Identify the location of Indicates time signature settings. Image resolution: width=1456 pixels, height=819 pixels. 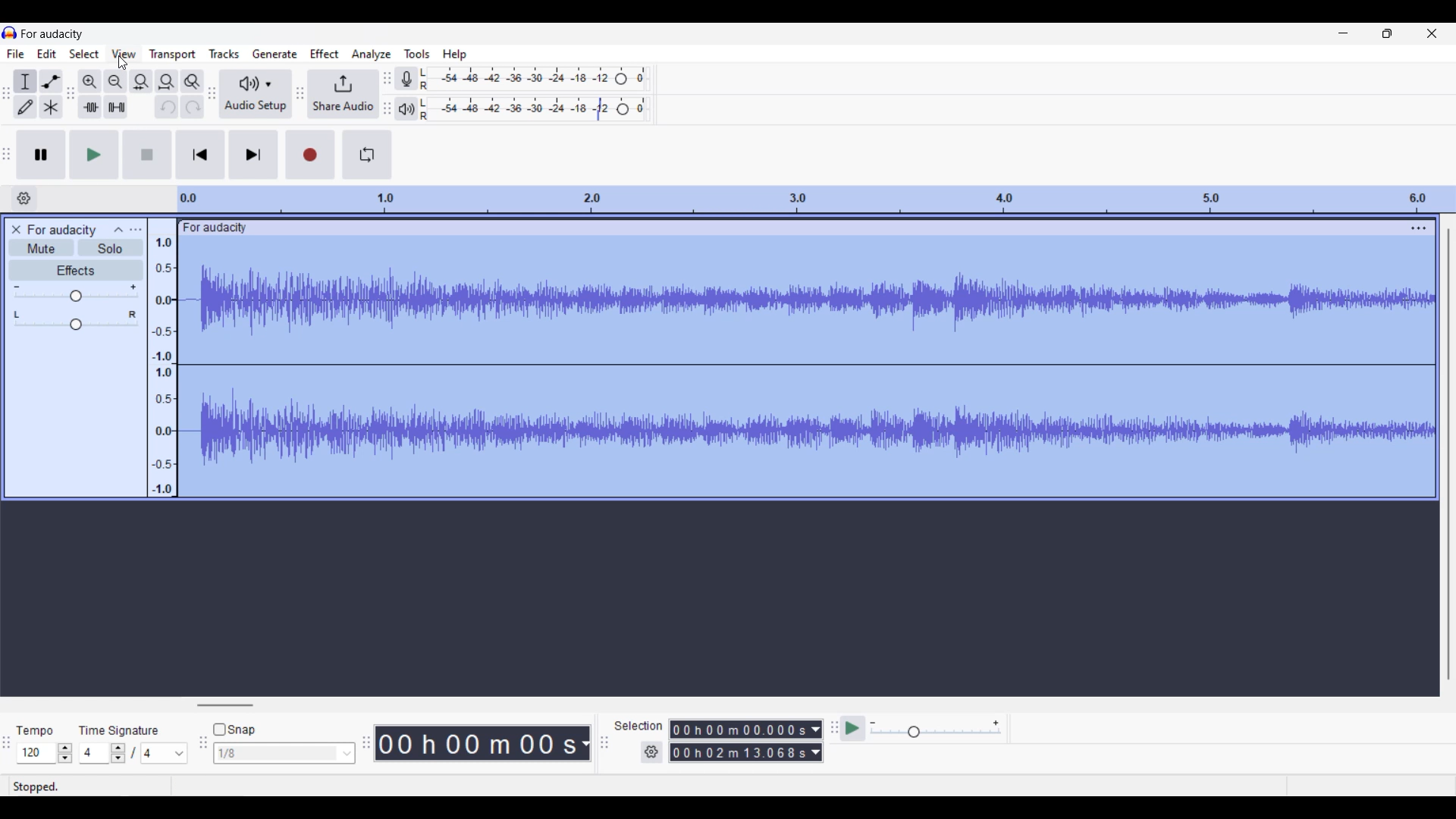
(118, 730).